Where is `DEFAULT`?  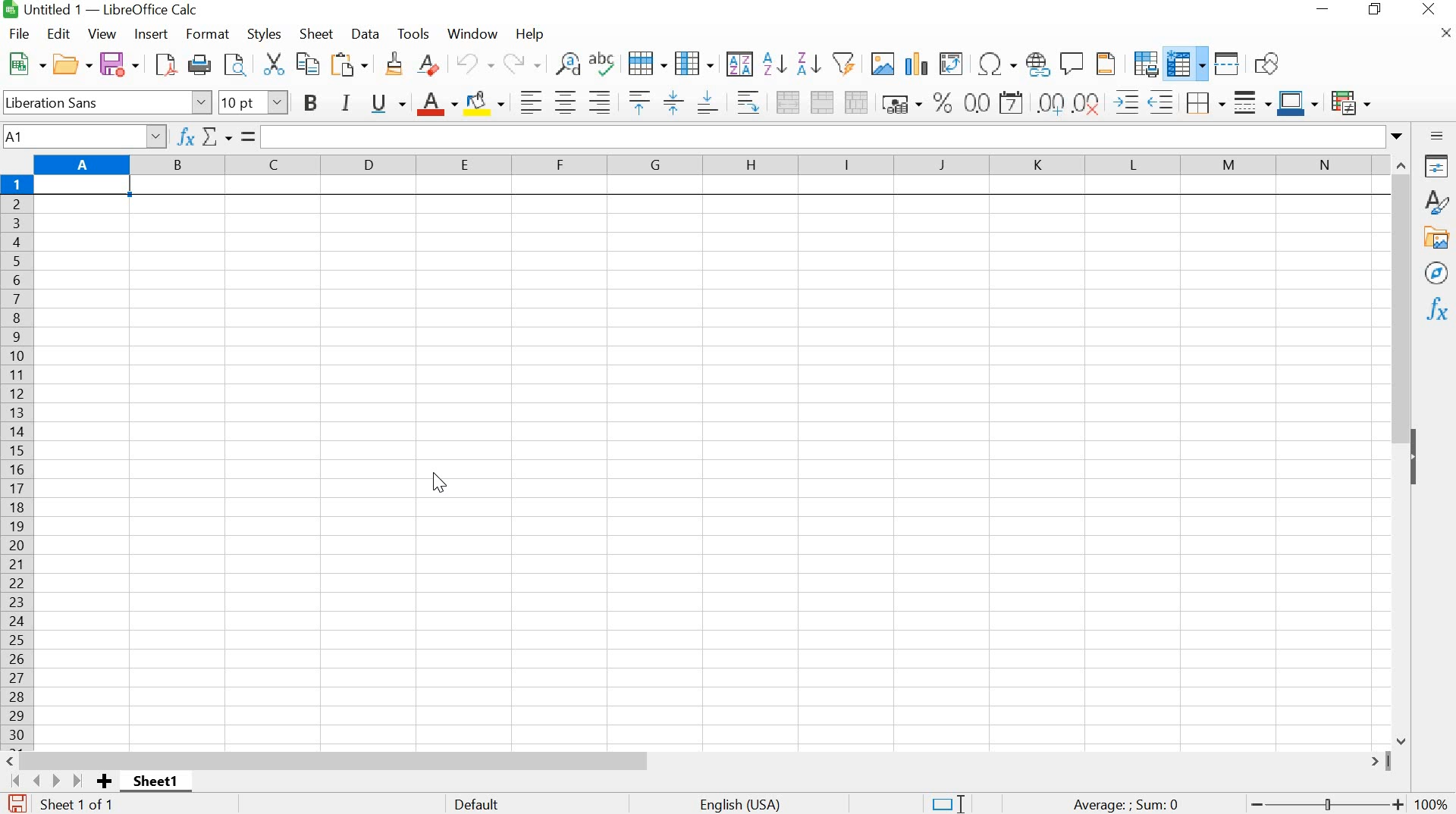 DEFAULT is located at coordinates (518, 803).